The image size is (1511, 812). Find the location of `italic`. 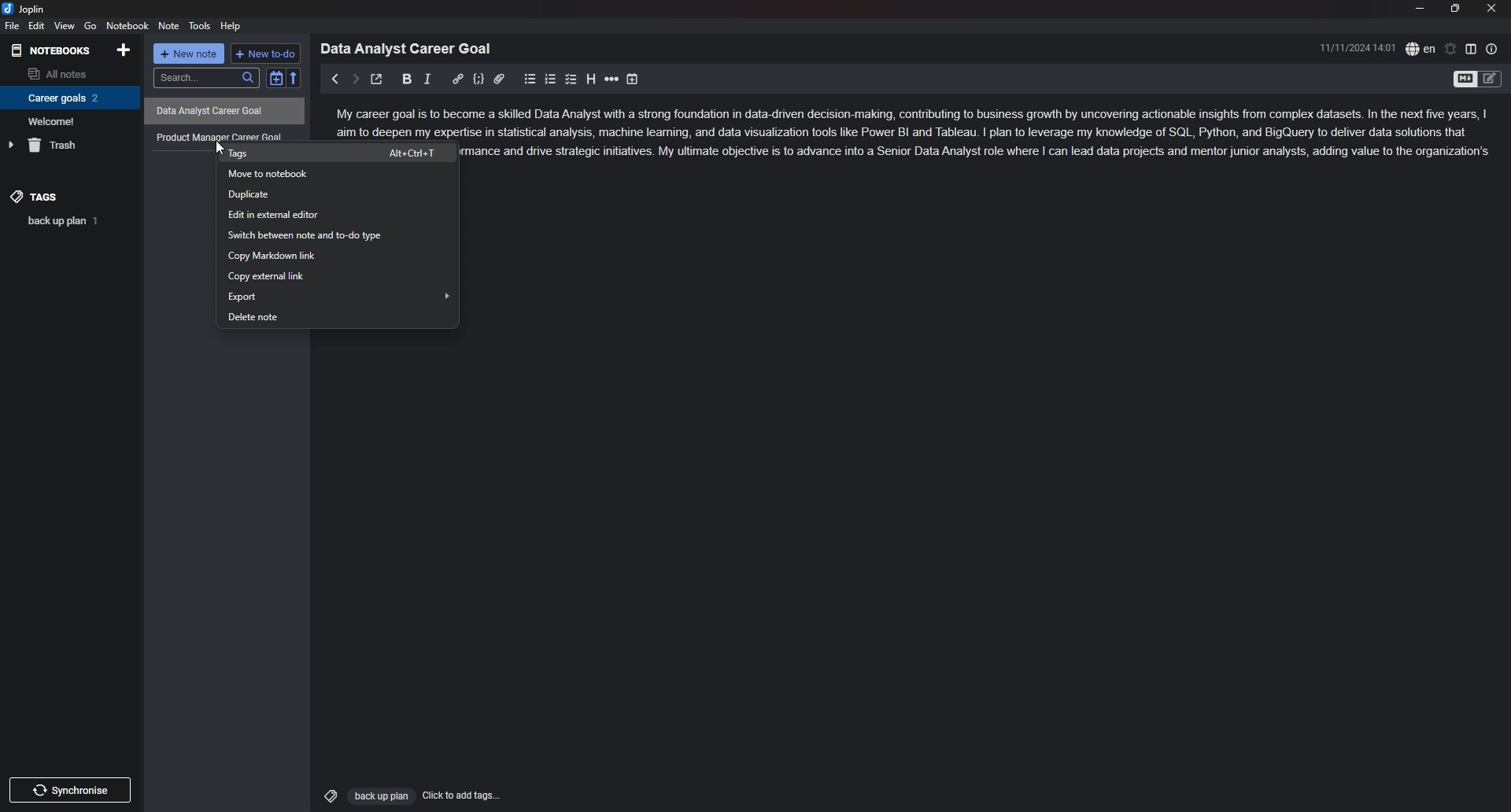

italic is located at coordinates (427, 79).